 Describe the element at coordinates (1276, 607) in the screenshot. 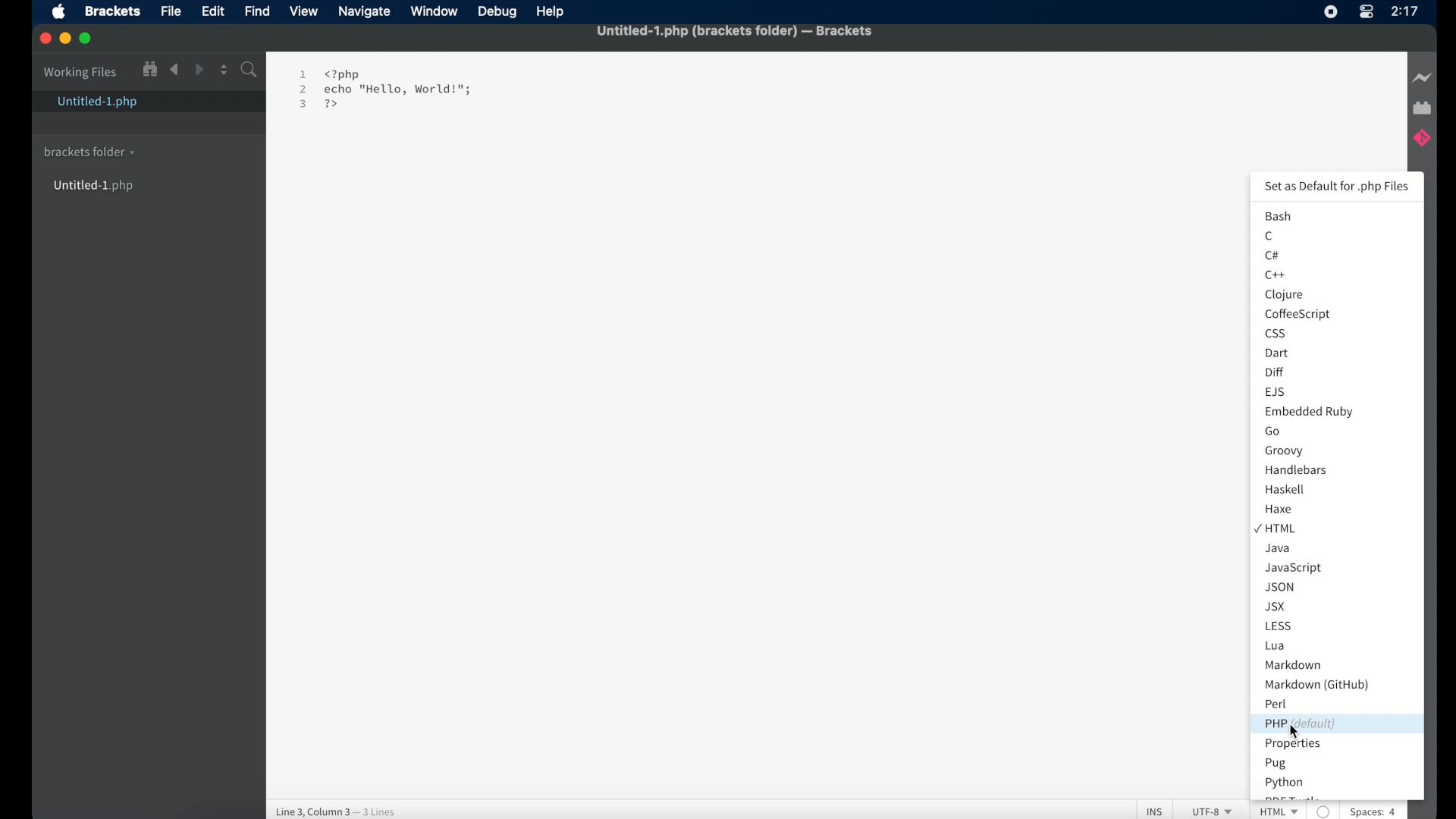

I see `jsx` at that location.